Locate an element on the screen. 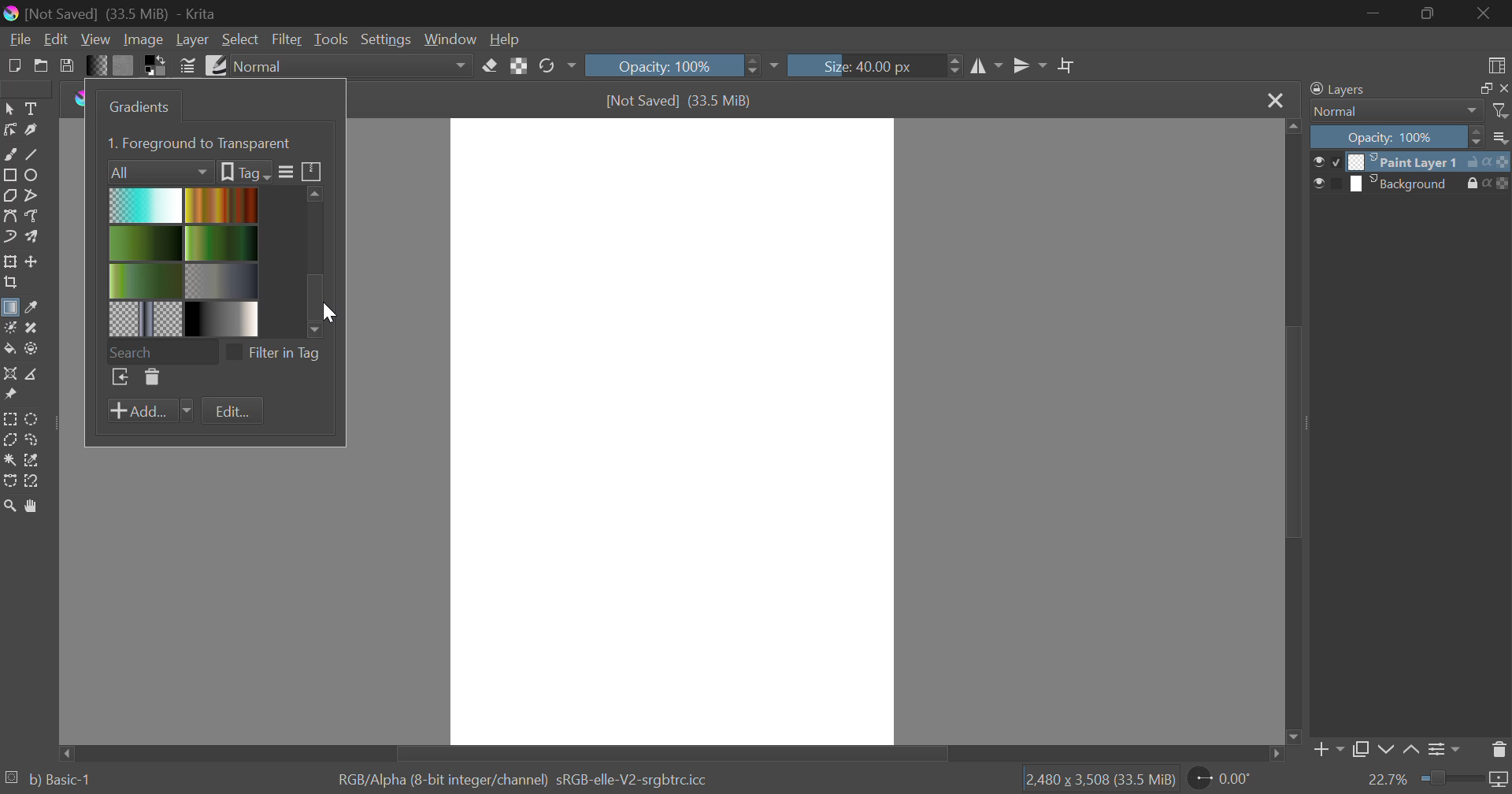 The height and width of the screenshot is (794, 1512). 0.00° is located at coordinates (1229, 777).